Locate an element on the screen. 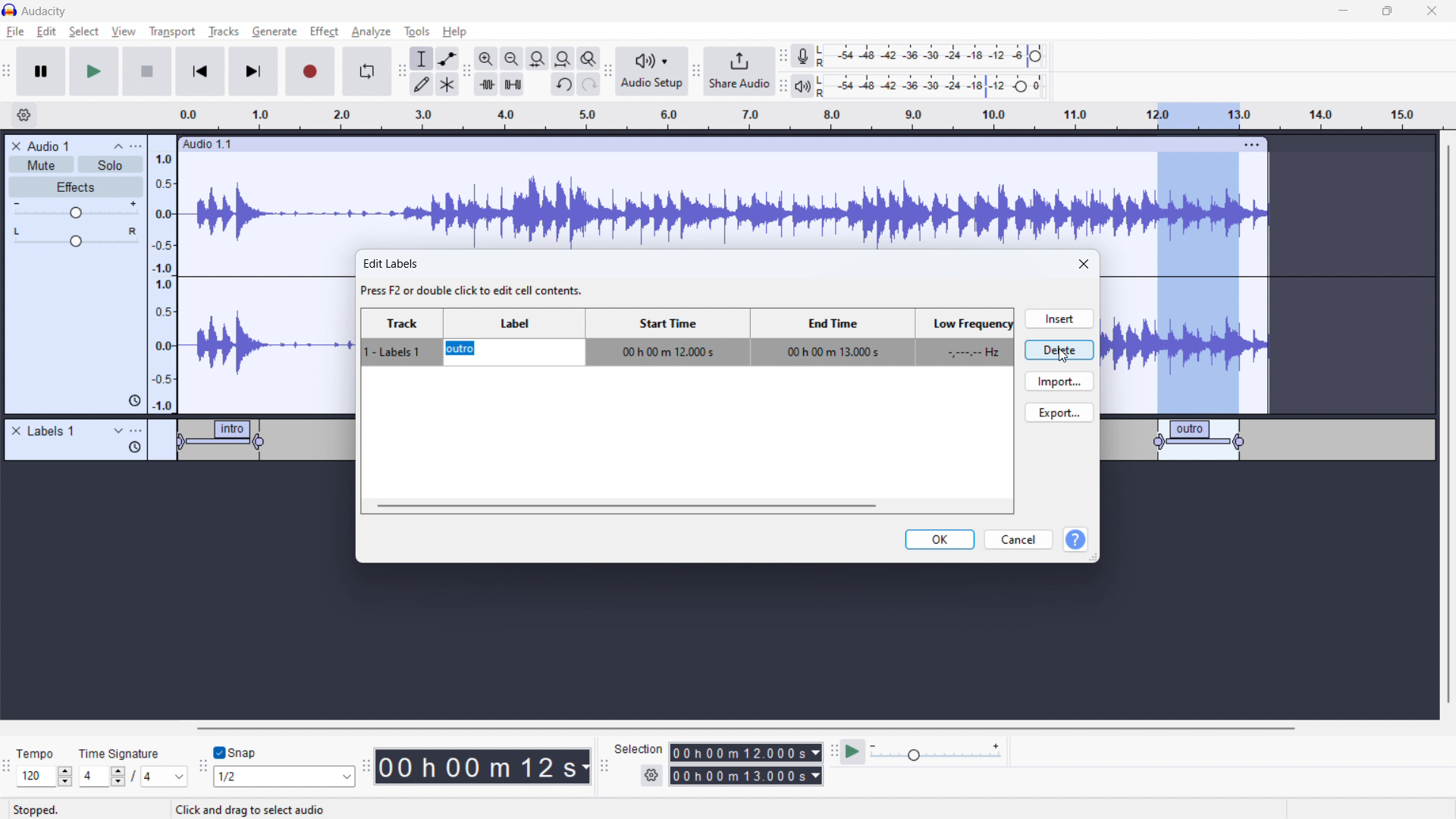 Image resolution: width=1456 pixels, height=819 pixels. set tempo is located at coordinates (47, 777).